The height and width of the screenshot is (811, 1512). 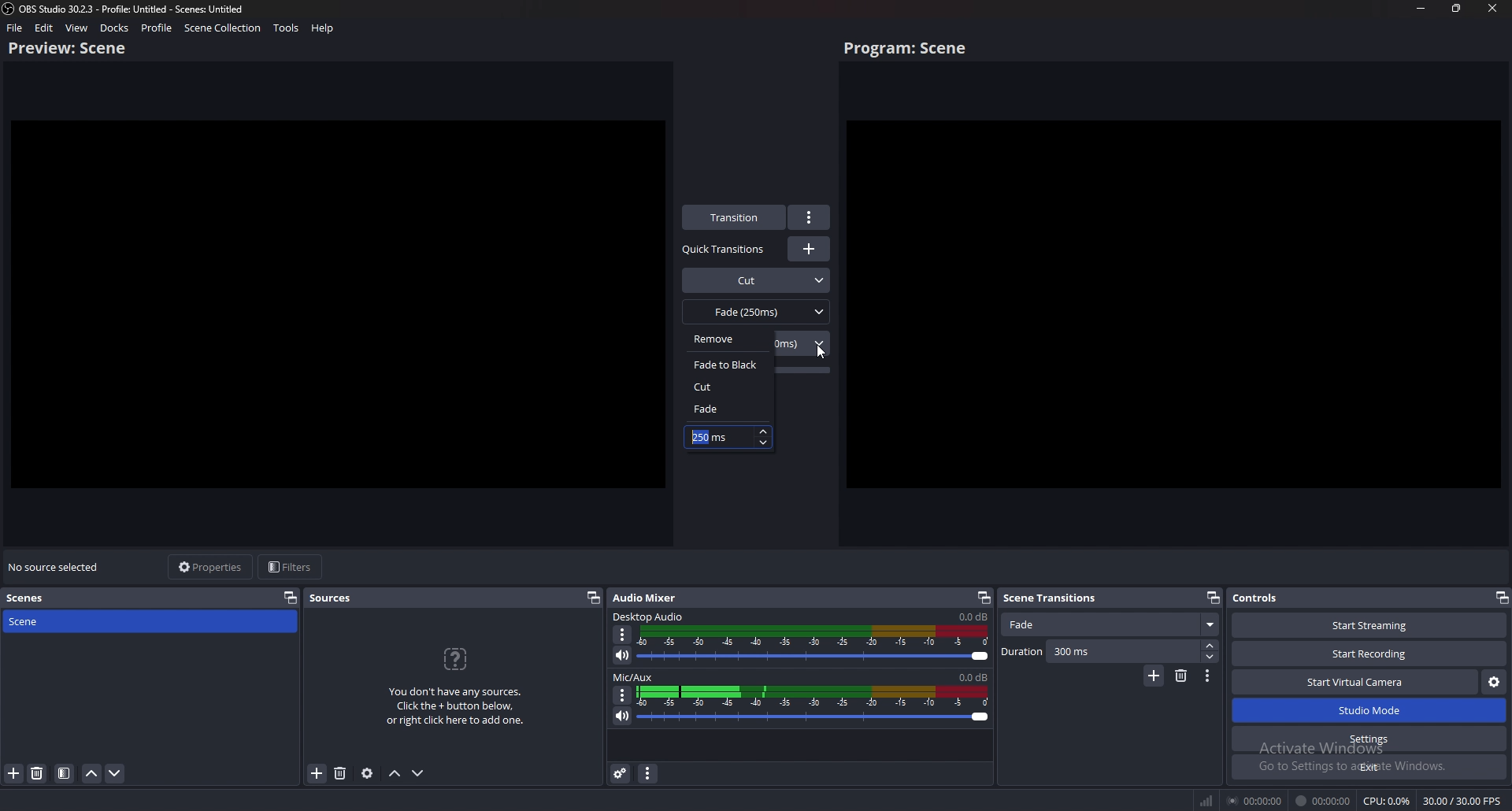 What do you see at coordinates (728, 387) in the screenshot?
I see `cut` at bounding box center [728, 387].